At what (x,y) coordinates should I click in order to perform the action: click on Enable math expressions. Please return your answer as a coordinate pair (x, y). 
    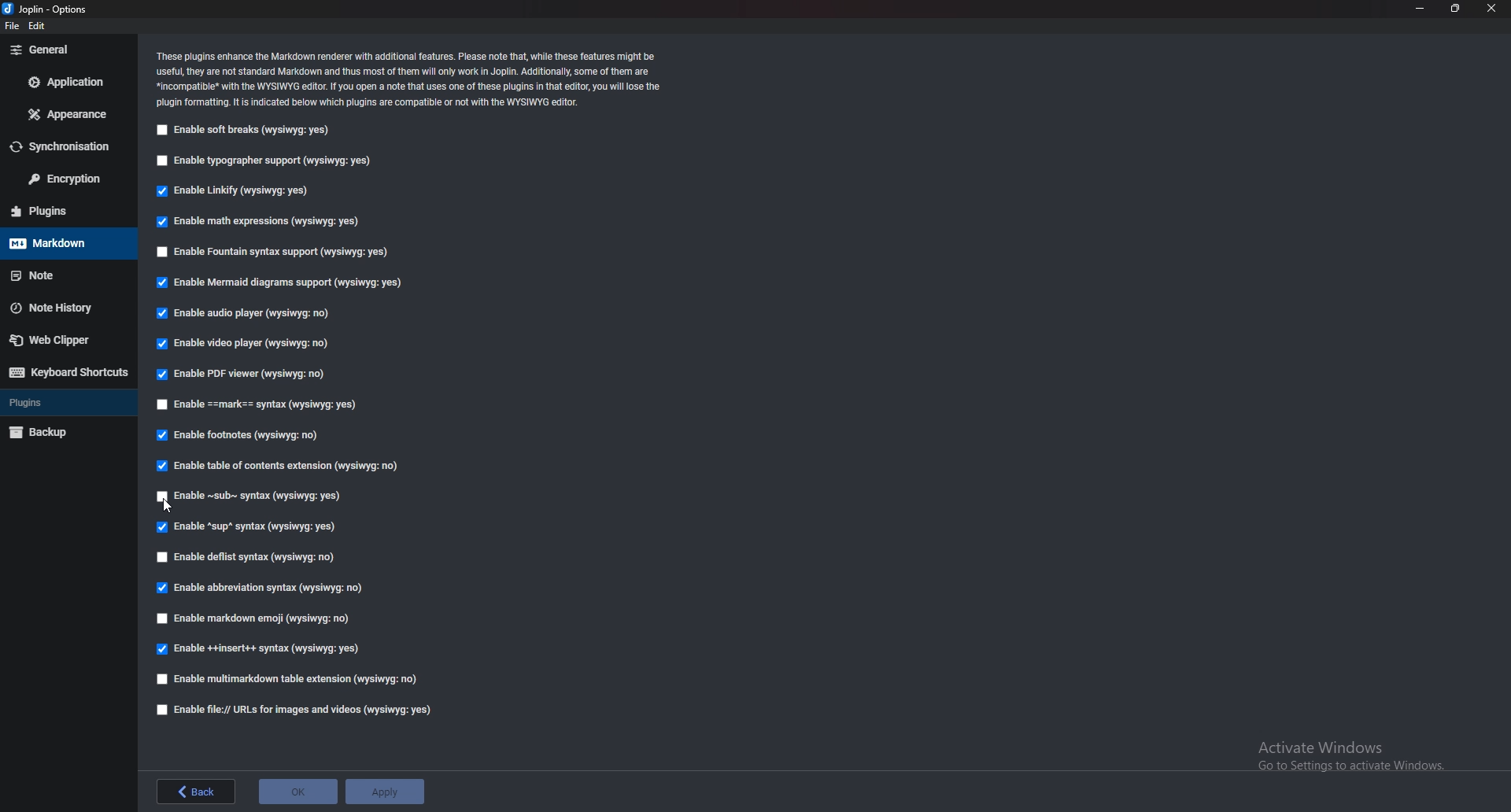
    Looking at the image, I should click on (256, 222).